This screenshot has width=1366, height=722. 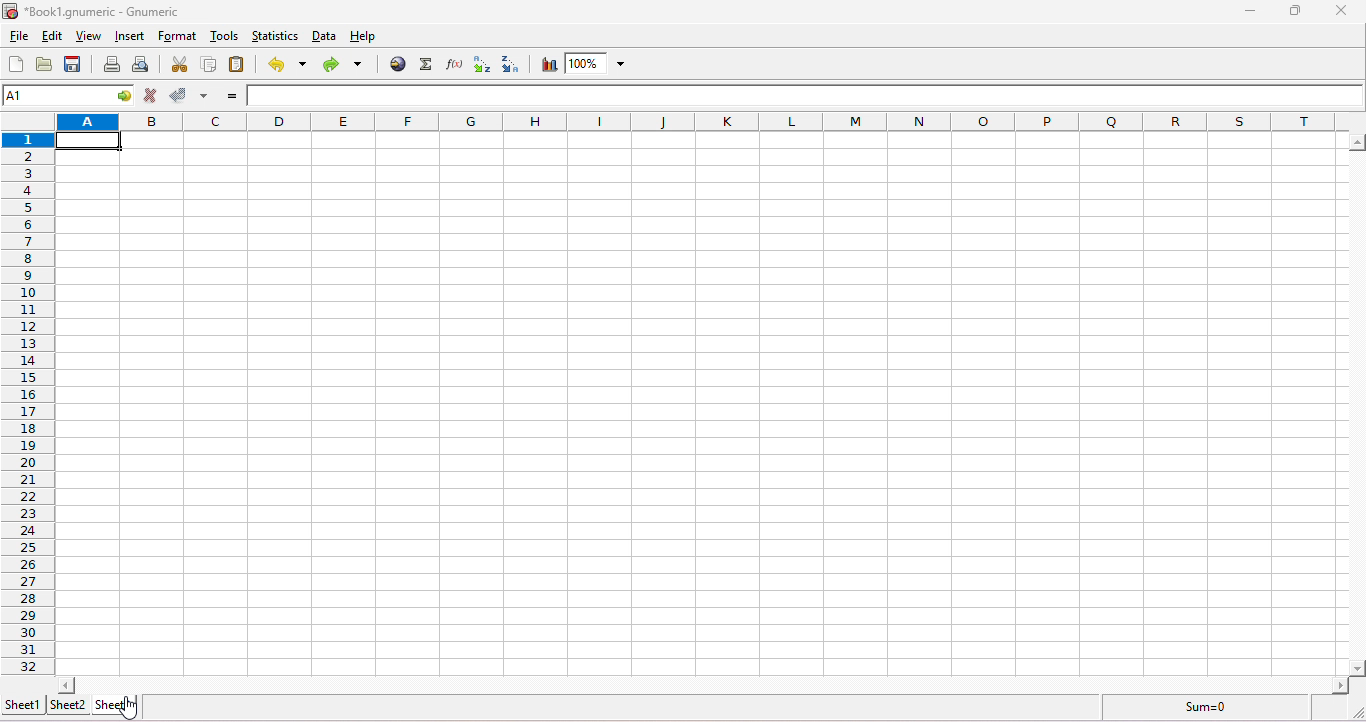 I want to click on cursor, so click(x=129, y=705).